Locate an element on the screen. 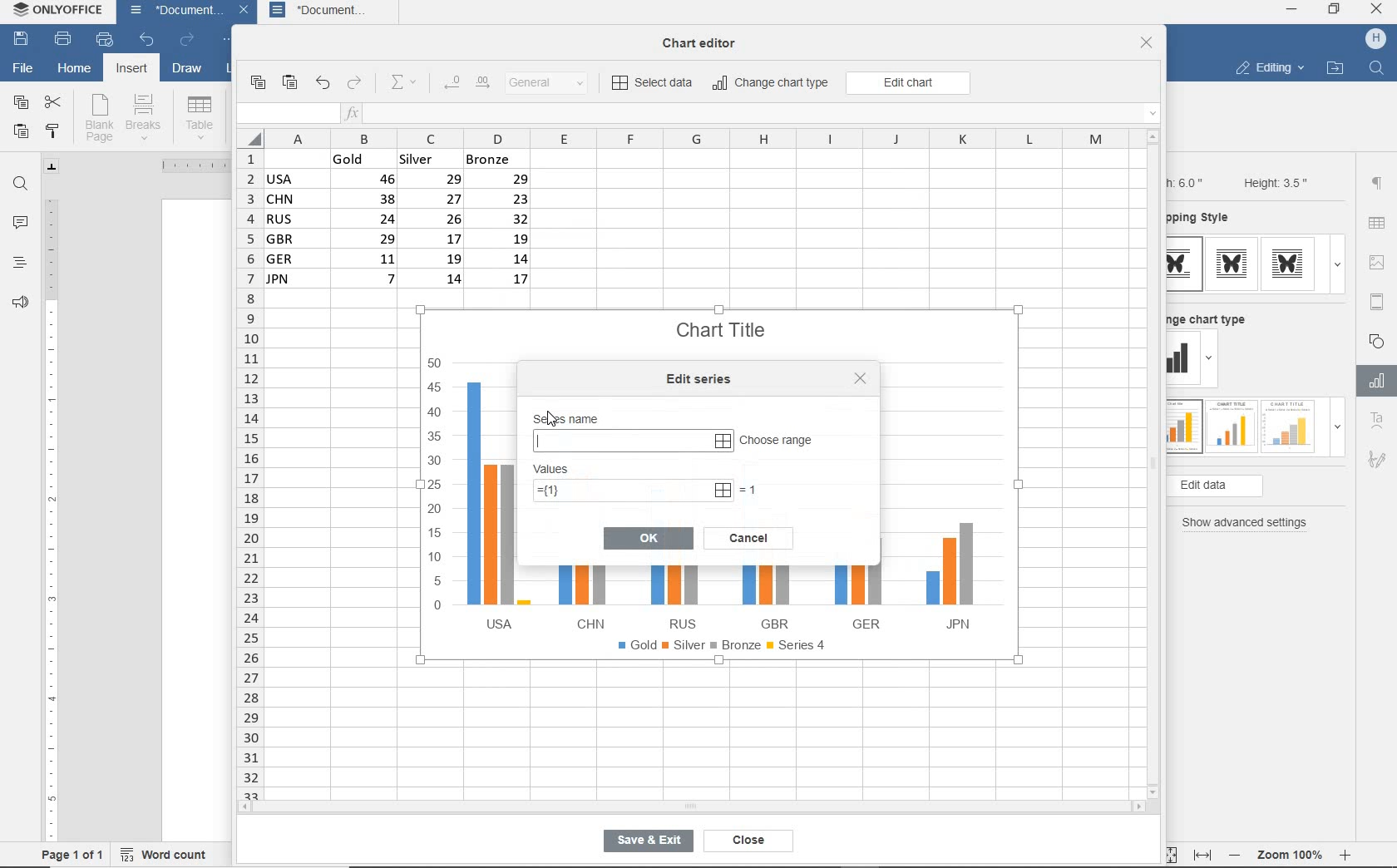 The width and height of the screenshot is (1397, 868). table is located at coordinates (200, 117).